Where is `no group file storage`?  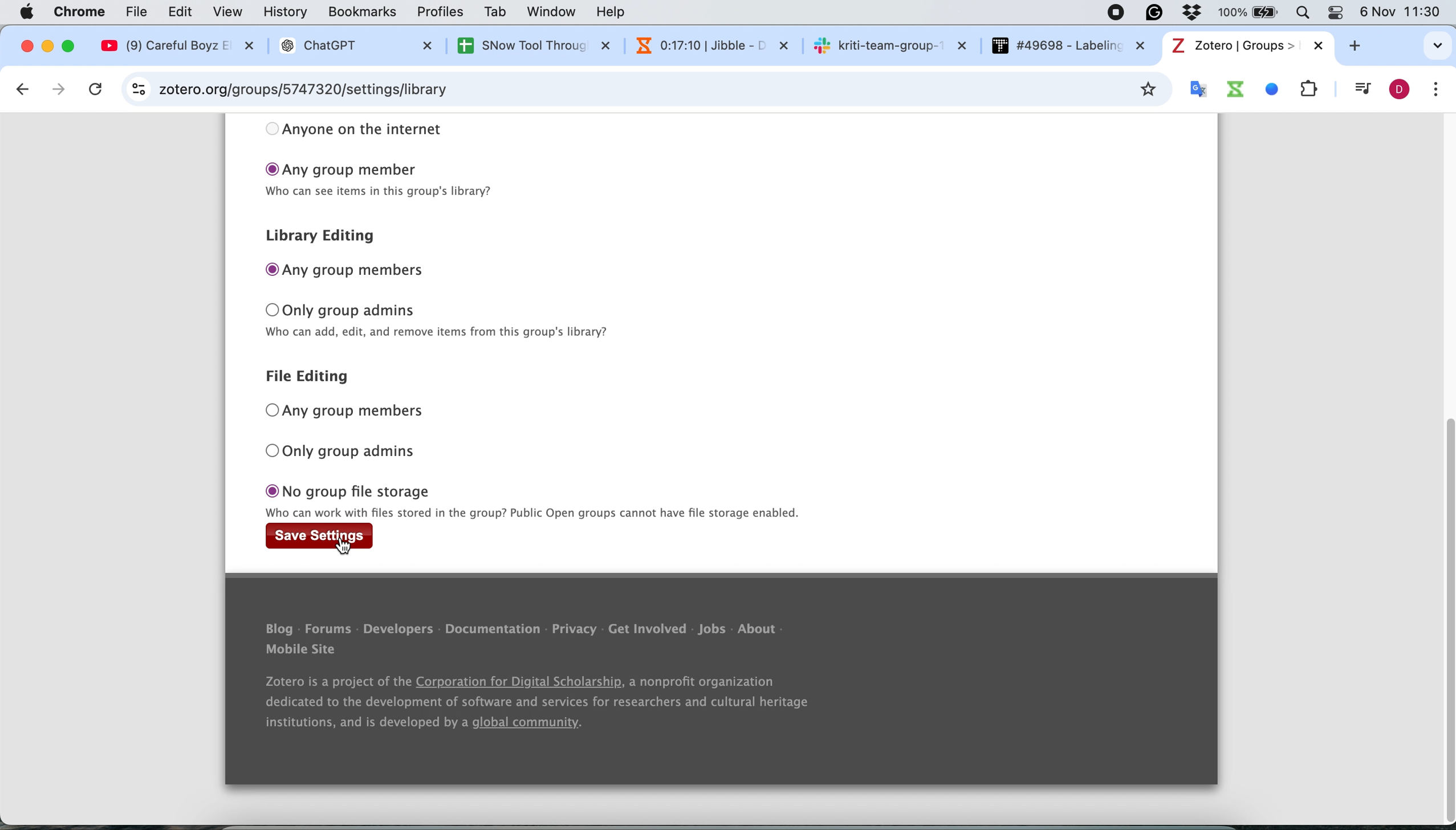 no group file storage is located at coordinates (351, 491).